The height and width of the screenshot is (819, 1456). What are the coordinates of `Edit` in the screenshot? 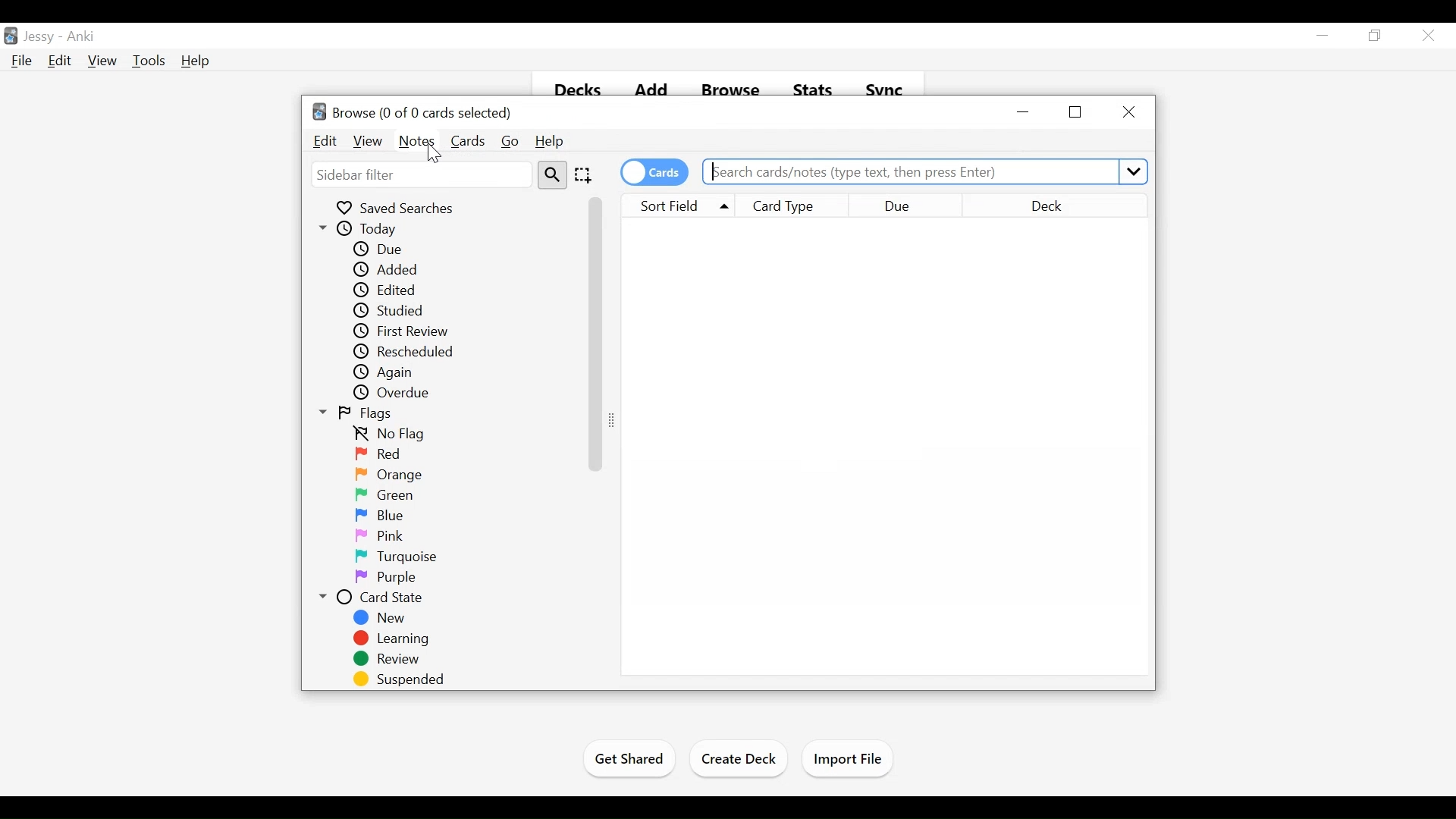 It's located at (58, 60).